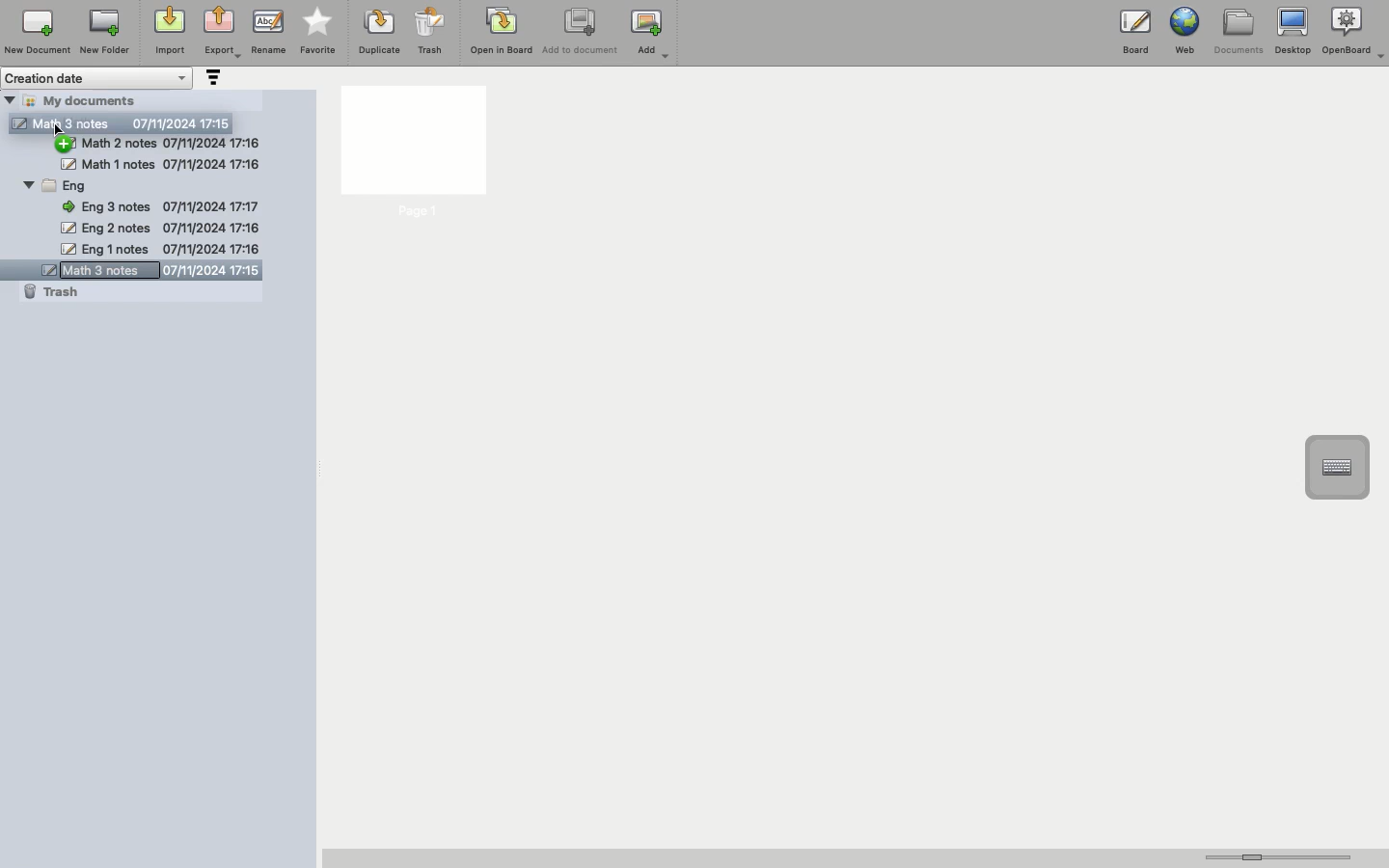  I want to click on Creation date, so click(98, 78).